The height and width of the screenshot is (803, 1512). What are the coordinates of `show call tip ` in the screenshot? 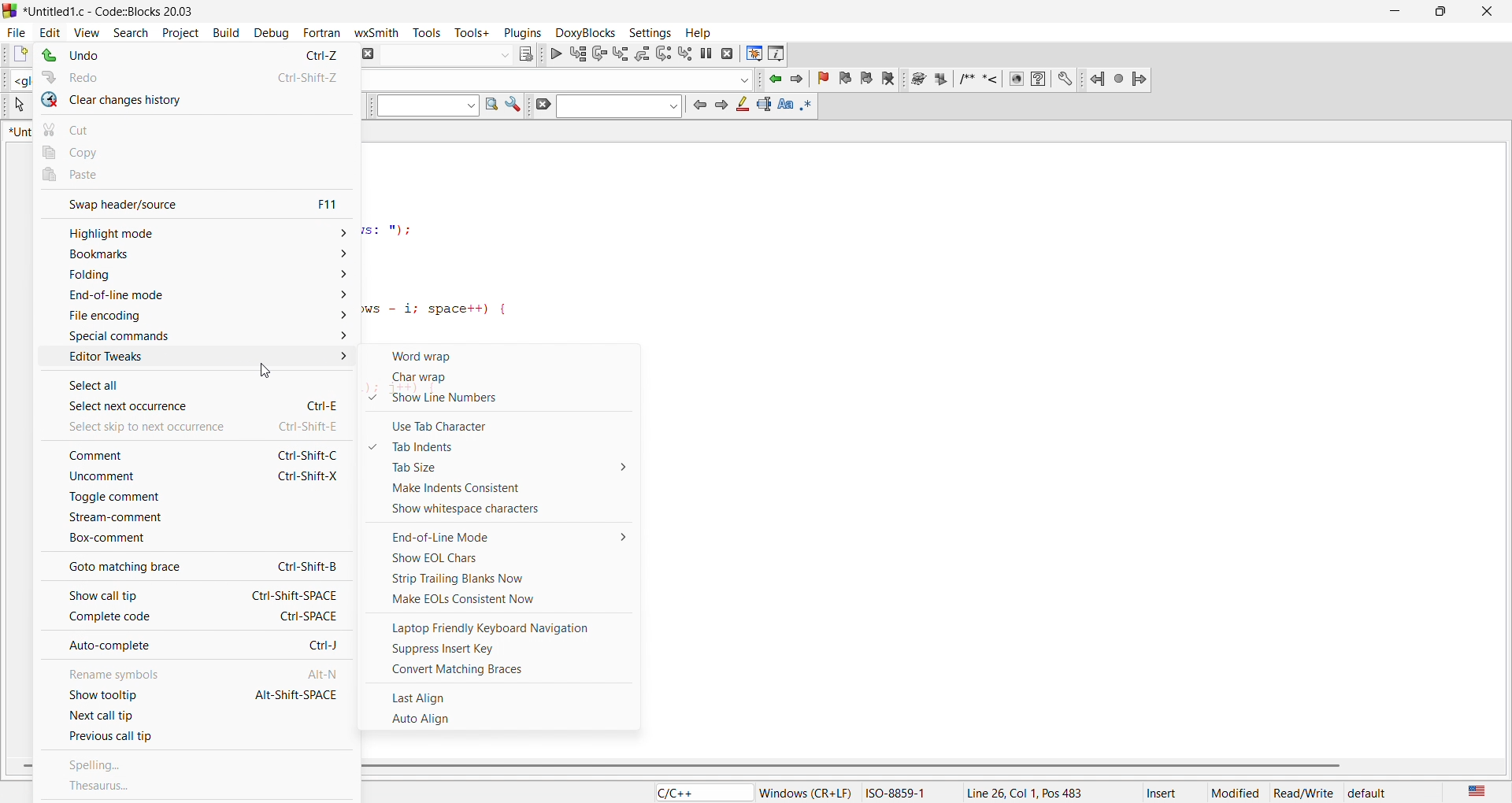 It's located at (127, 595).